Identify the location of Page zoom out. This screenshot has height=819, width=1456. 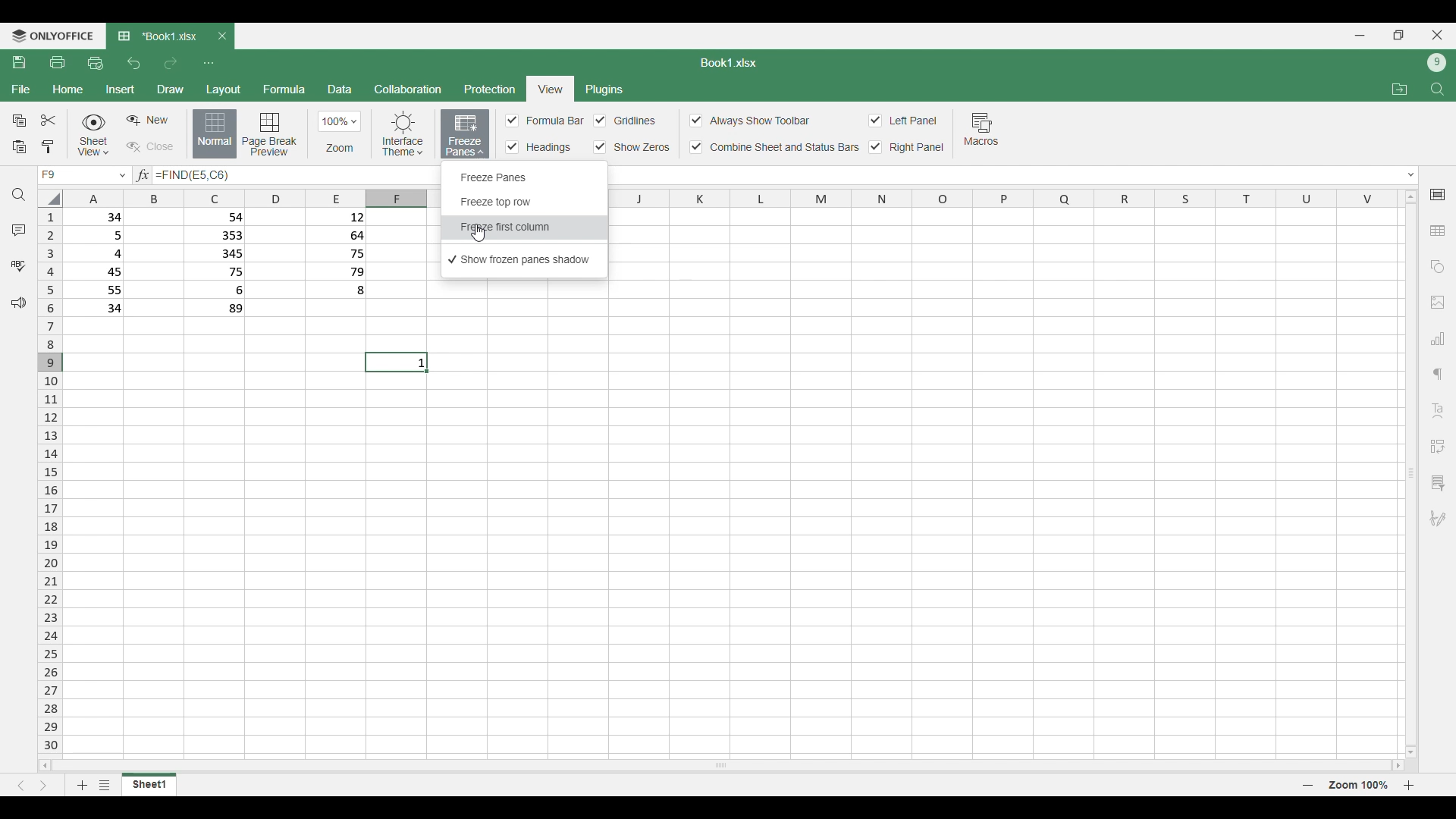
(1308, 786).